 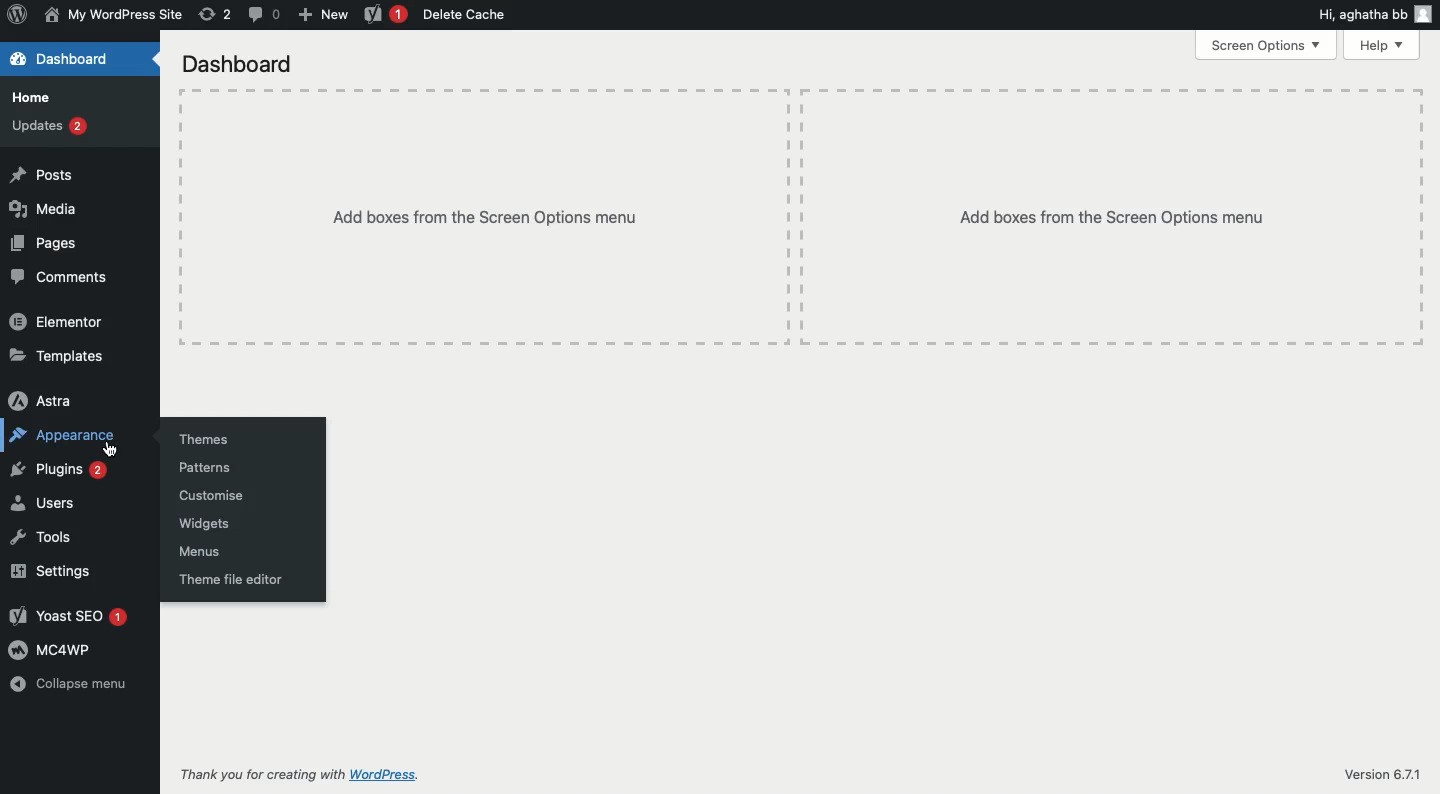 I want to click on Comment, so click(x=261, y=13).